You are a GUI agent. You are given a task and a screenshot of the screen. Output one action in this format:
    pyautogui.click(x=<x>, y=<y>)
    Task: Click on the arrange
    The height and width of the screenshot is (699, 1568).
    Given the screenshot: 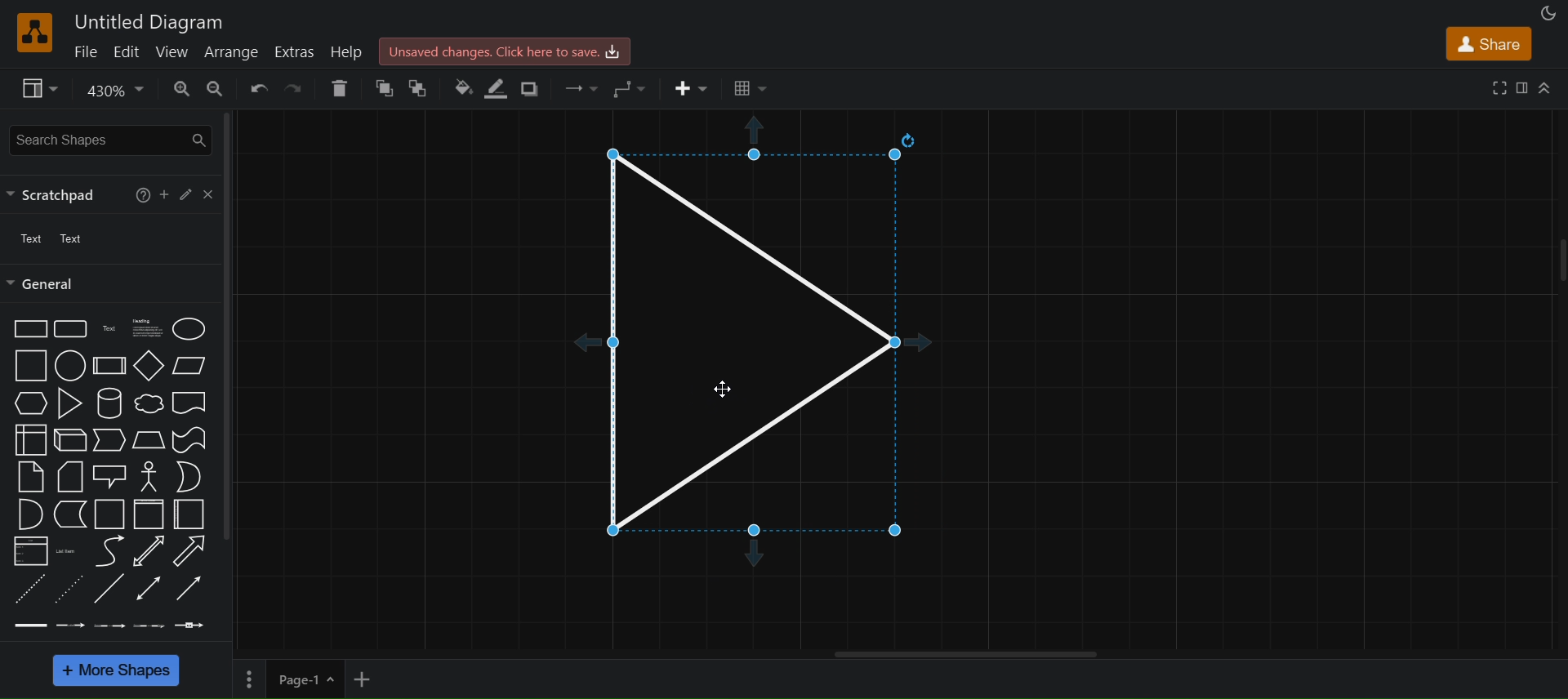 What is the action you would take?
    pyautogui.click(x=231, y=51)
    